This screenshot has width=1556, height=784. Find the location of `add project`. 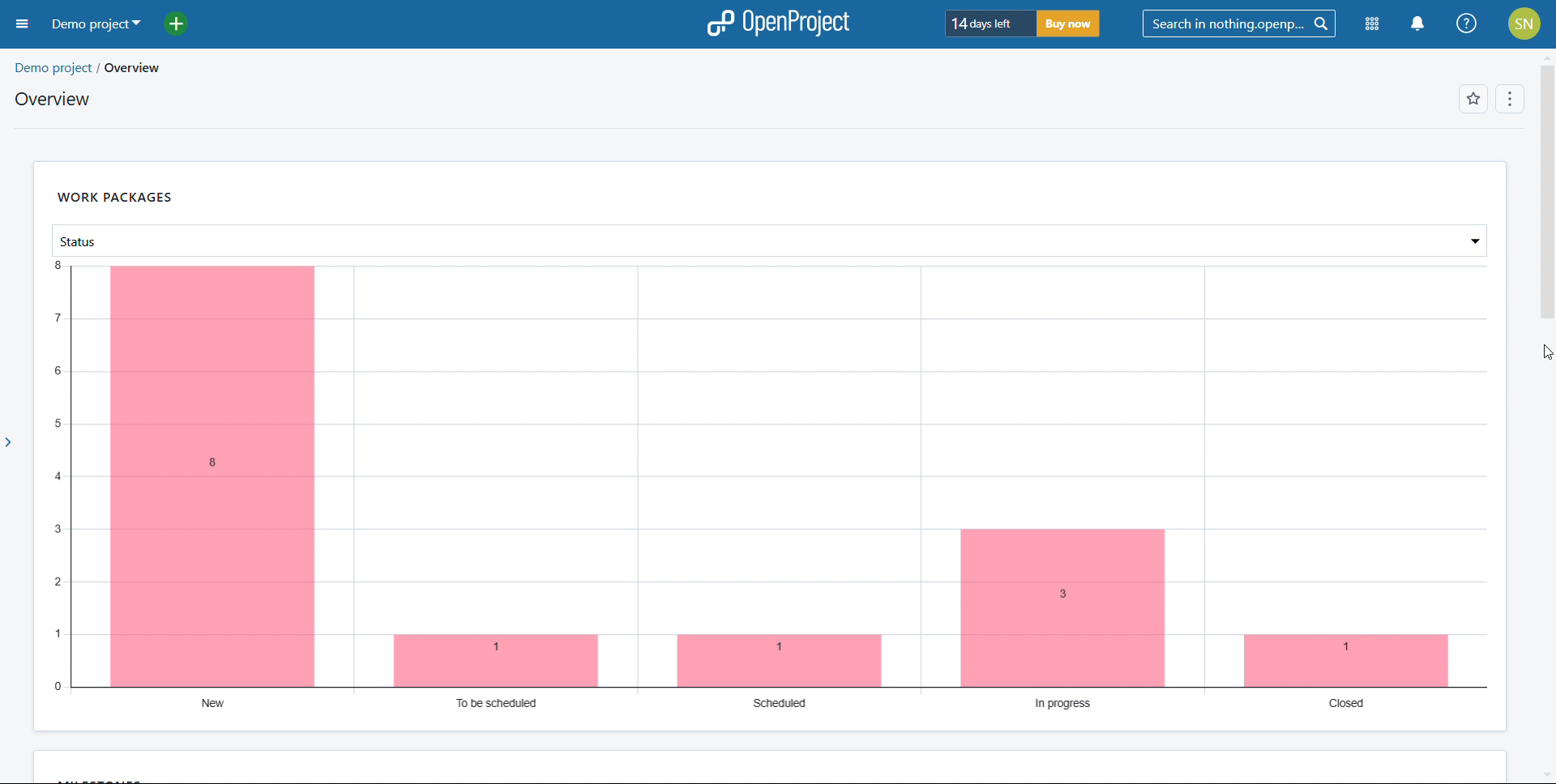

add project is located at coordinates (186, 23).